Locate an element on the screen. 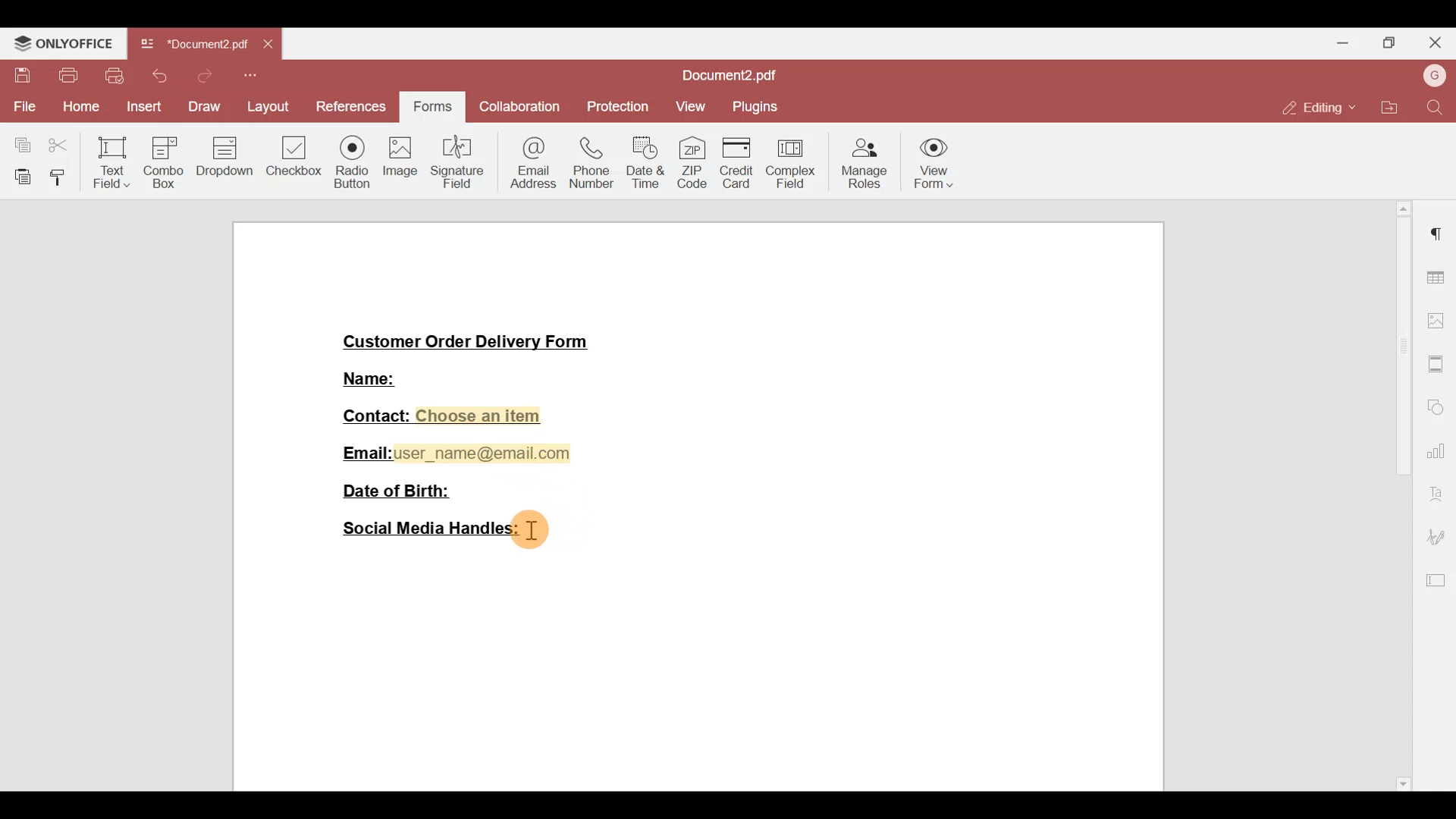  Print file is located at coordinates (66, 76).